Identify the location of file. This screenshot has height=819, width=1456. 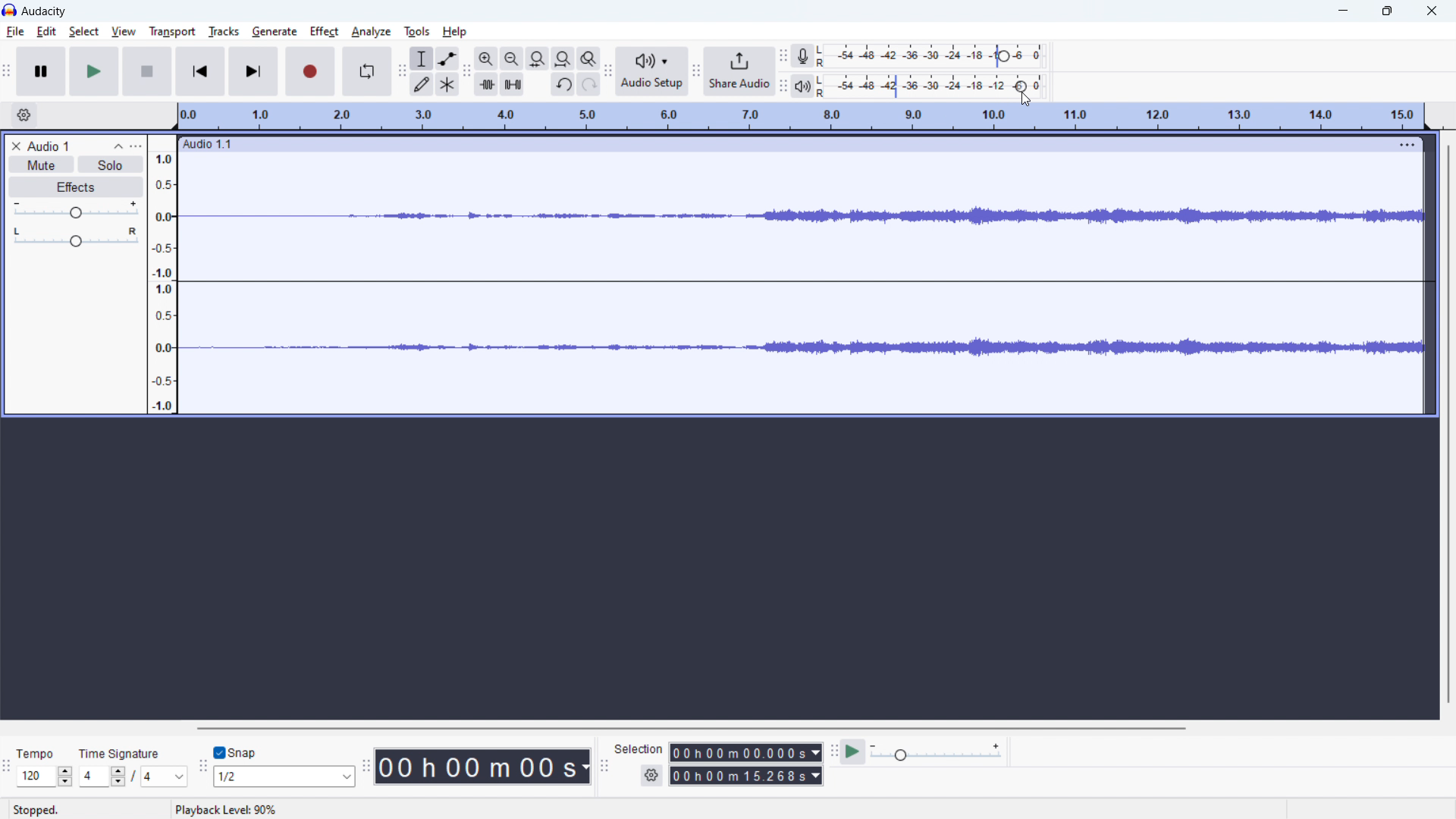
(15, 31).